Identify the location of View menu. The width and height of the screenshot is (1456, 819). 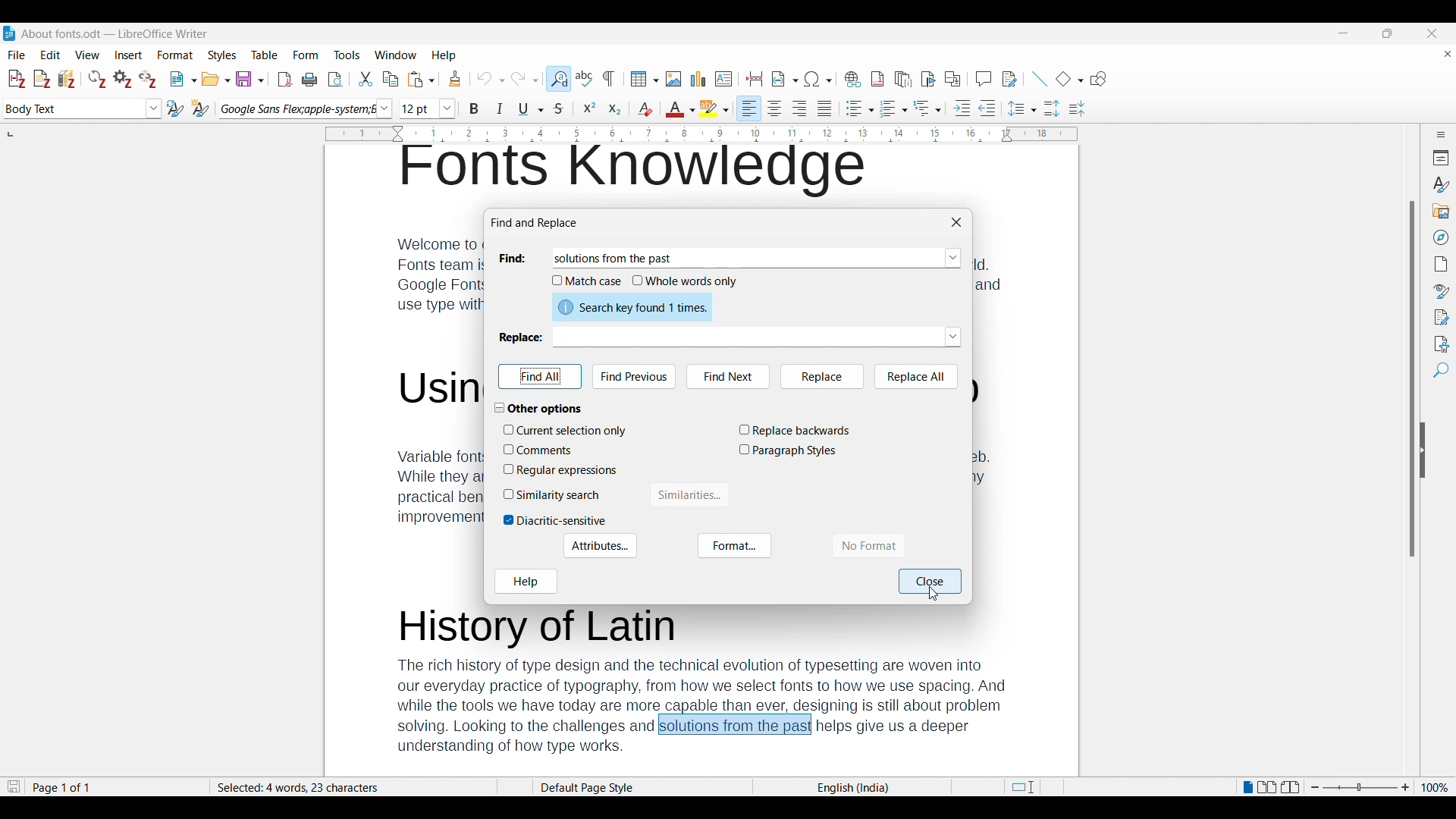
(88, 55).